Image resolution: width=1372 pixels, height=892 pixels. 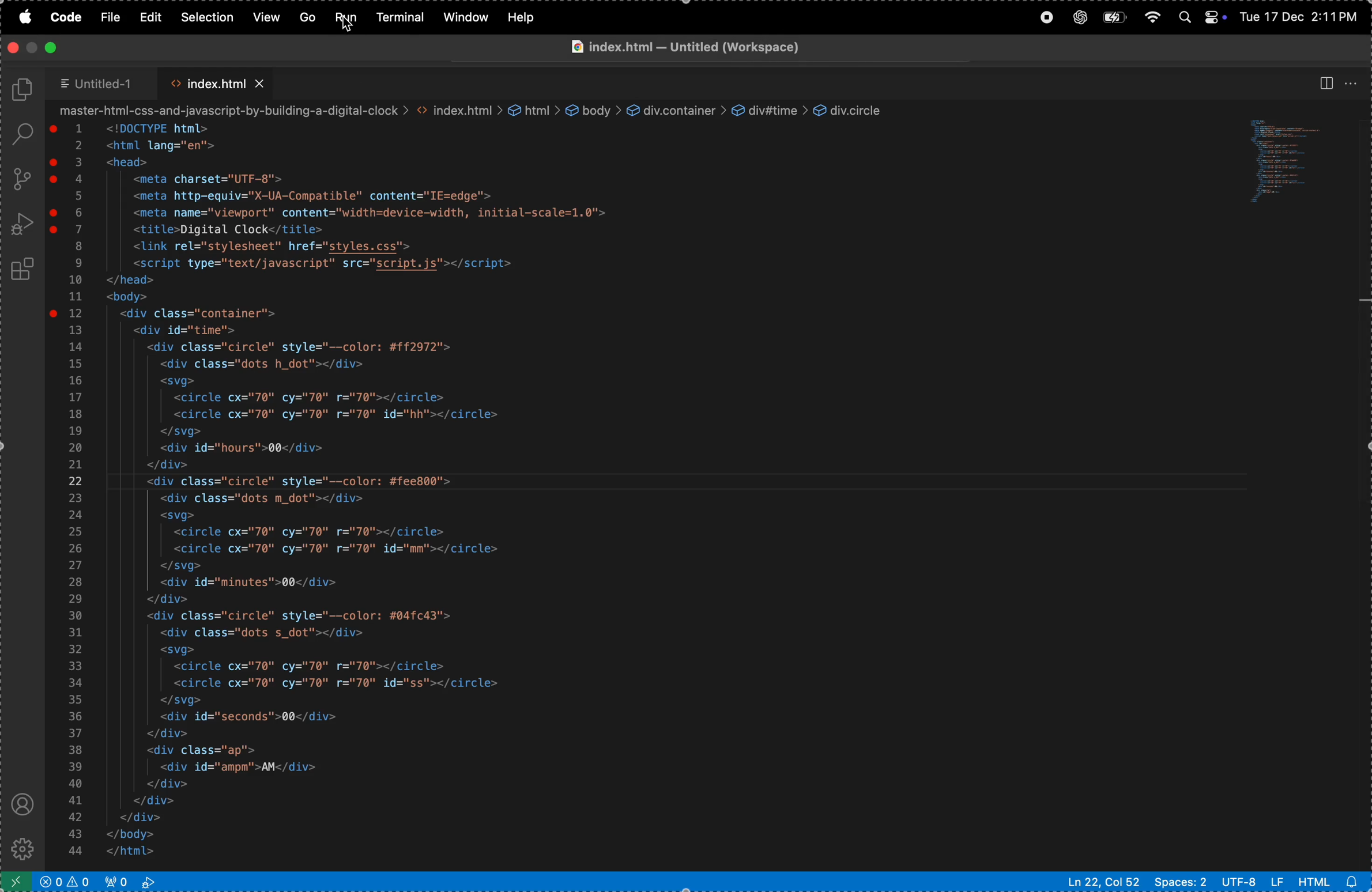 I want to click on split , so click(x=1324, y=83).